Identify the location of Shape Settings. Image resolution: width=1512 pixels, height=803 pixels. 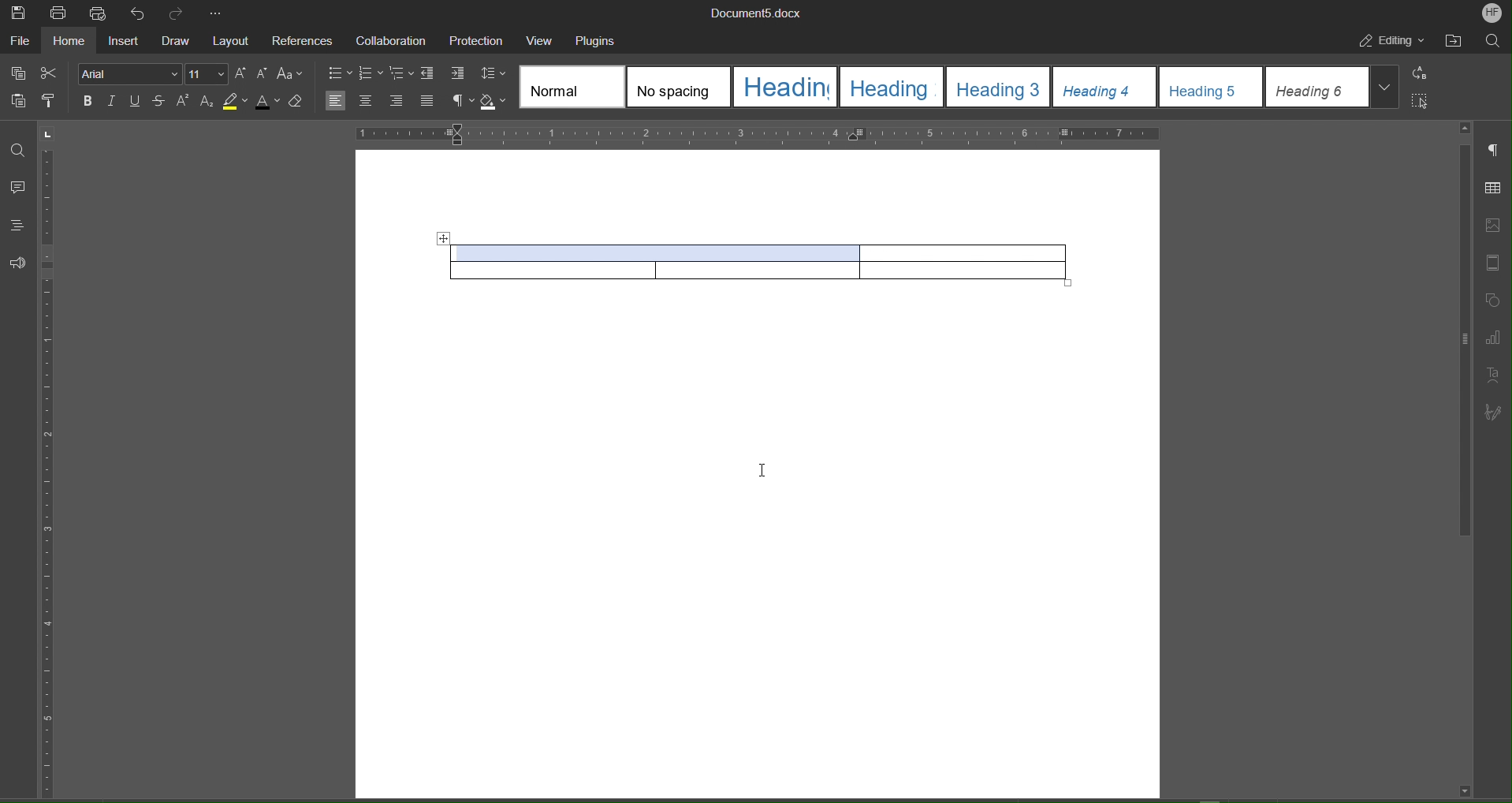
(1495, 301).